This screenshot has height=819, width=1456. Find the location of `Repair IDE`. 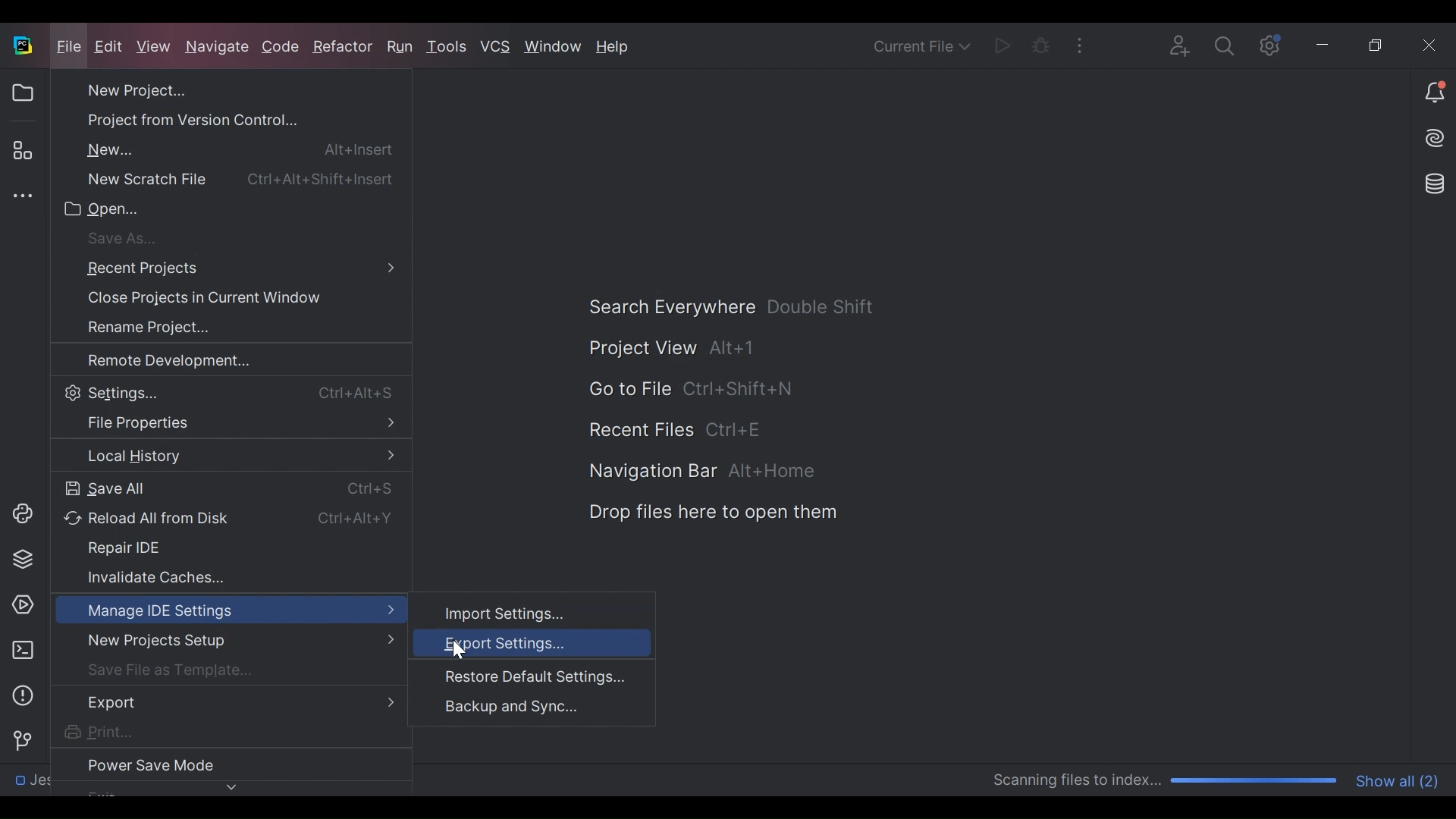

Repair IDE is located at coordinates (210, 549).